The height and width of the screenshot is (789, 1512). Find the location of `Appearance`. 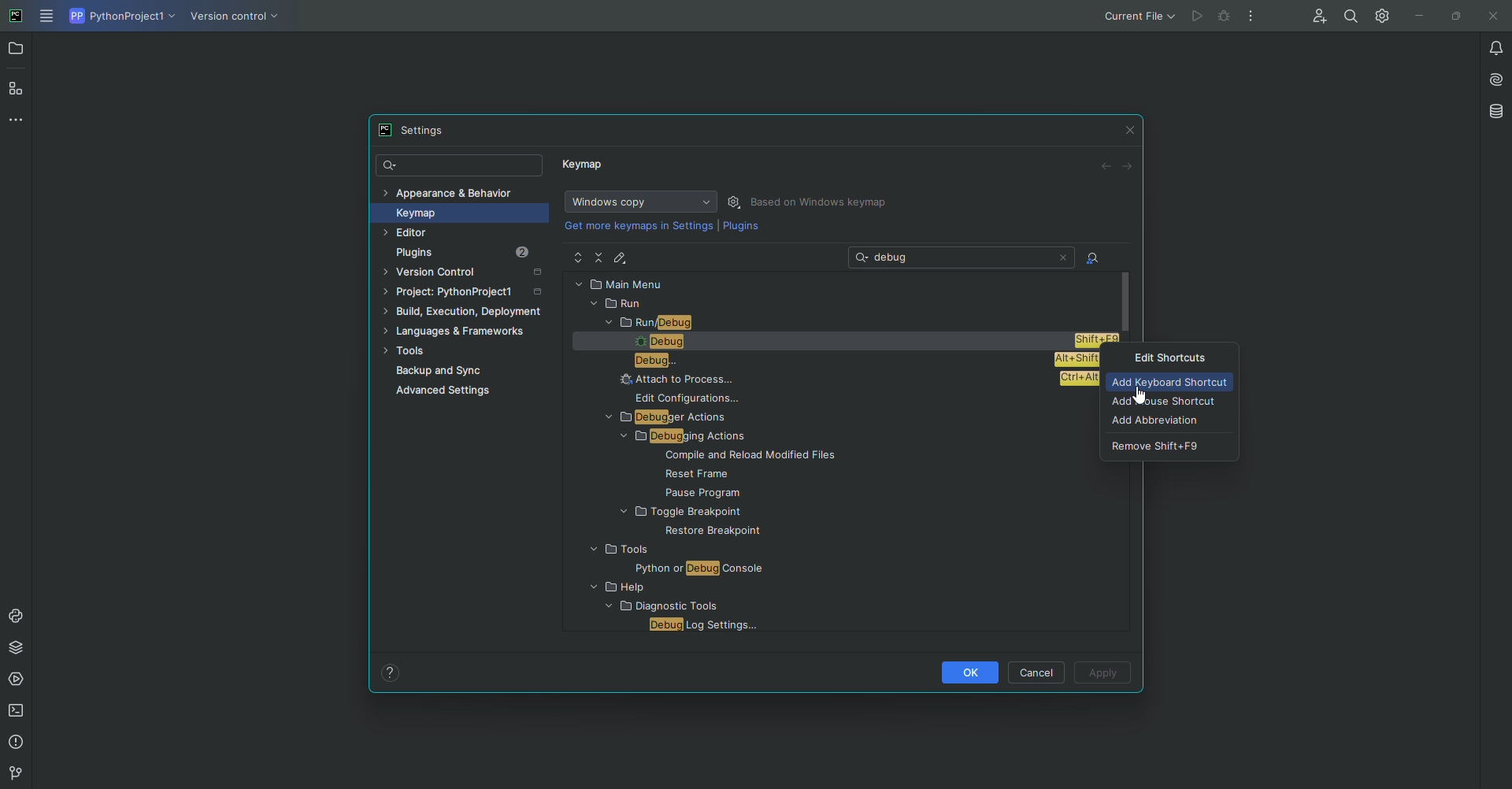

Appearance is located at coordinates (449, 191).